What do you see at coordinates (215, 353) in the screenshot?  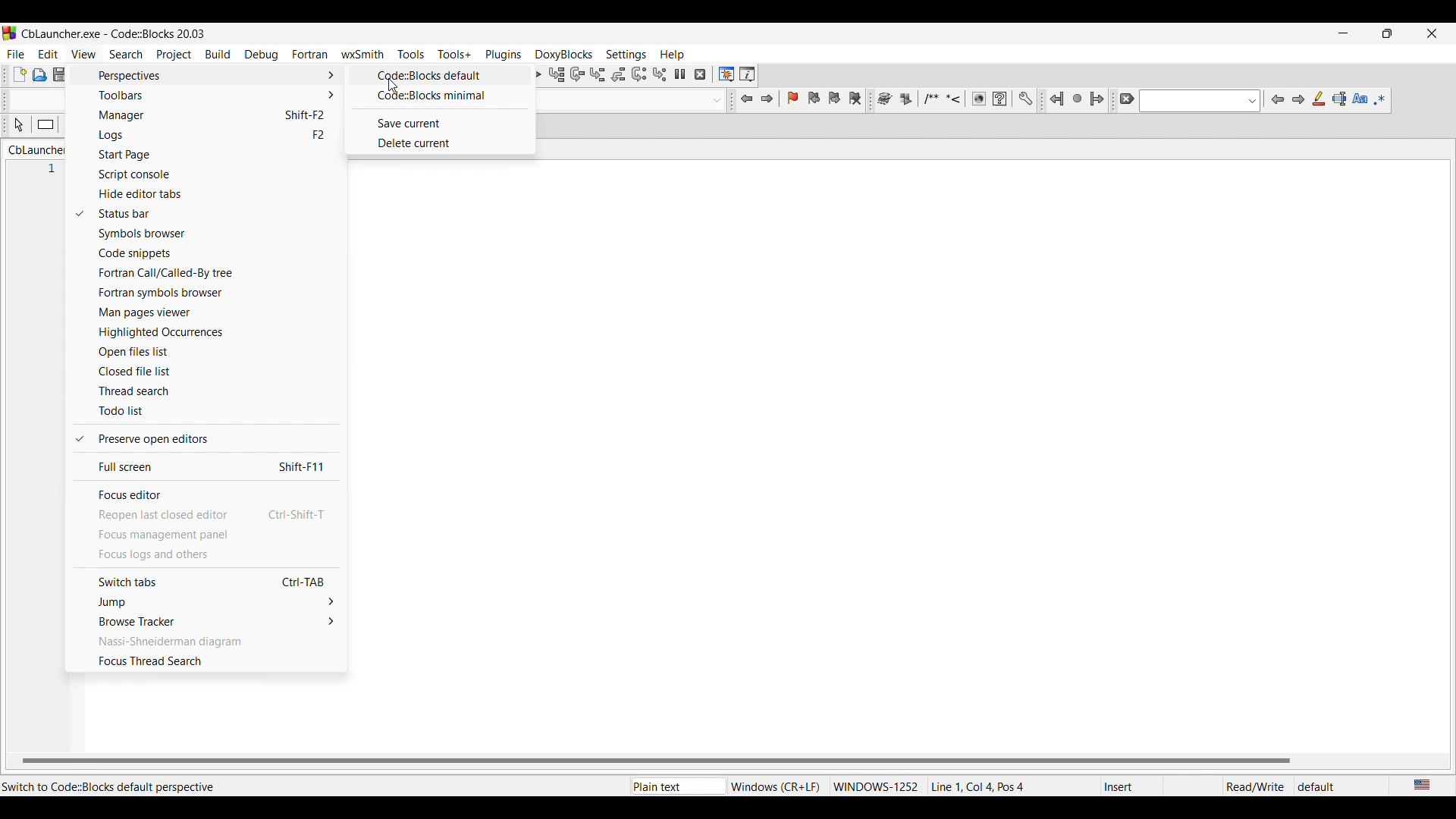 I see `Open files list` at bounding box center [215, 353].